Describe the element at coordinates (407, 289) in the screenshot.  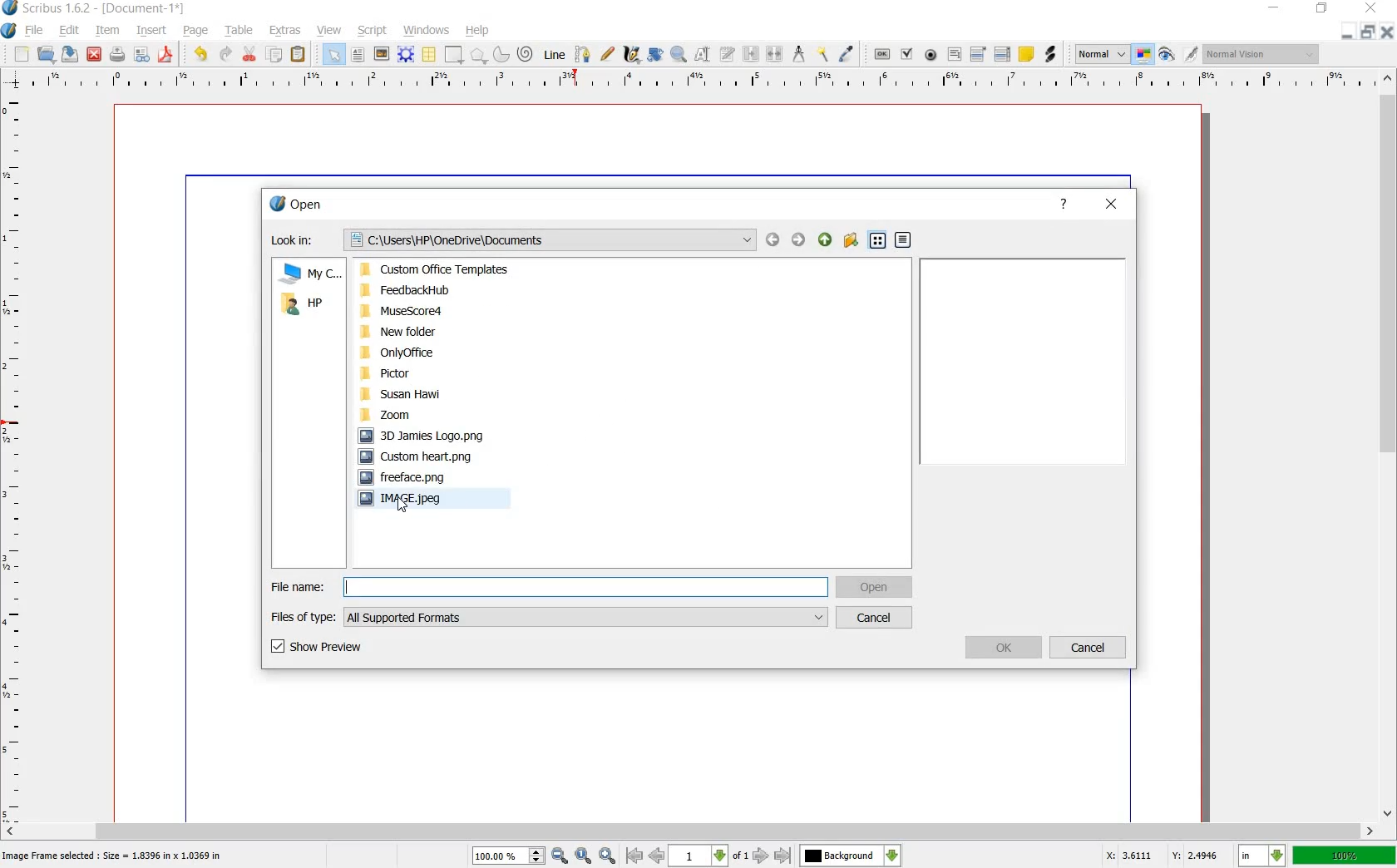
I see `FeedbackHub` at that location.